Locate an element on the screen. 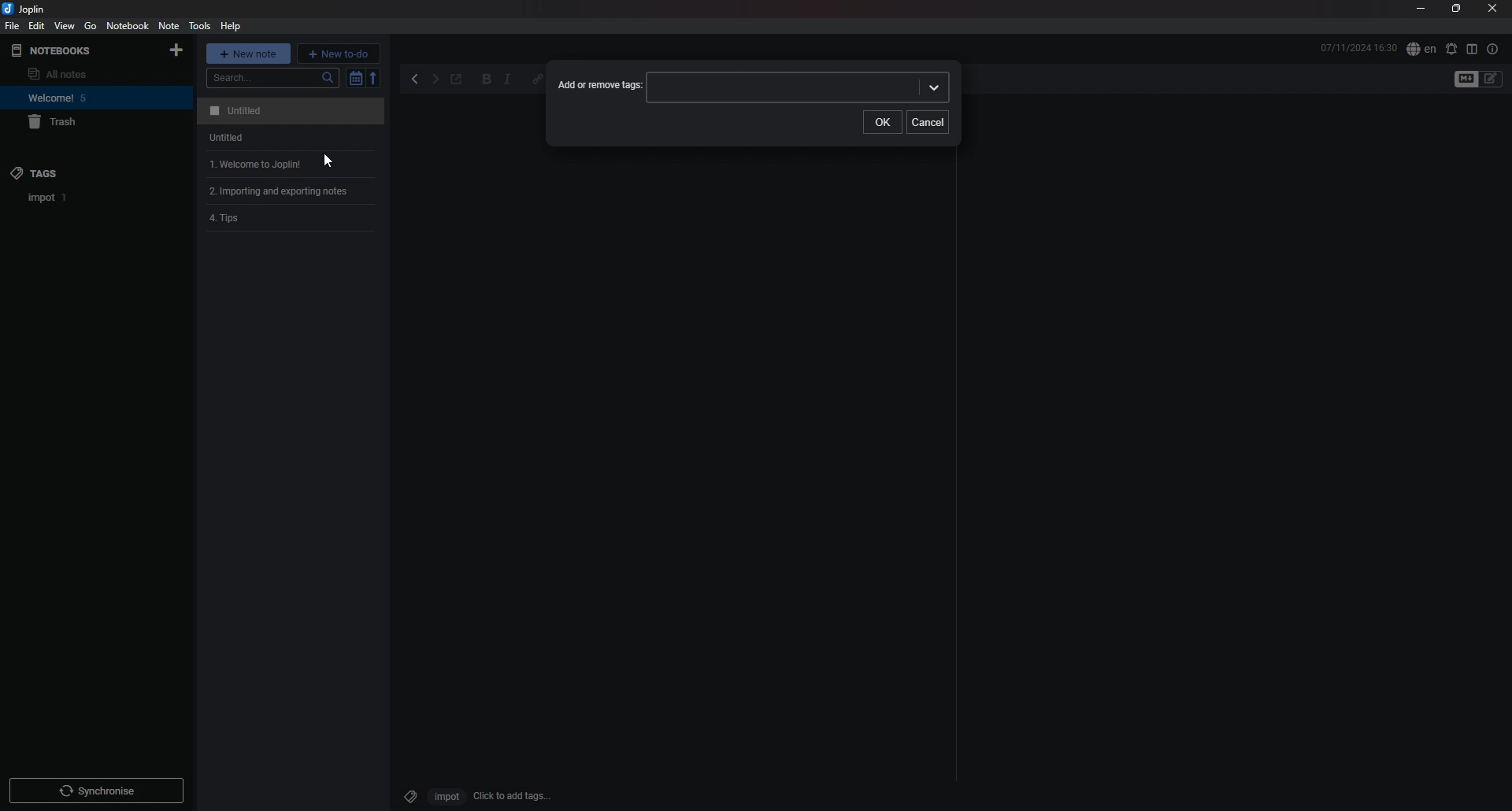 This screenshot has height=811, width=1512. toggle sort order is located at coordinates (355, 79).